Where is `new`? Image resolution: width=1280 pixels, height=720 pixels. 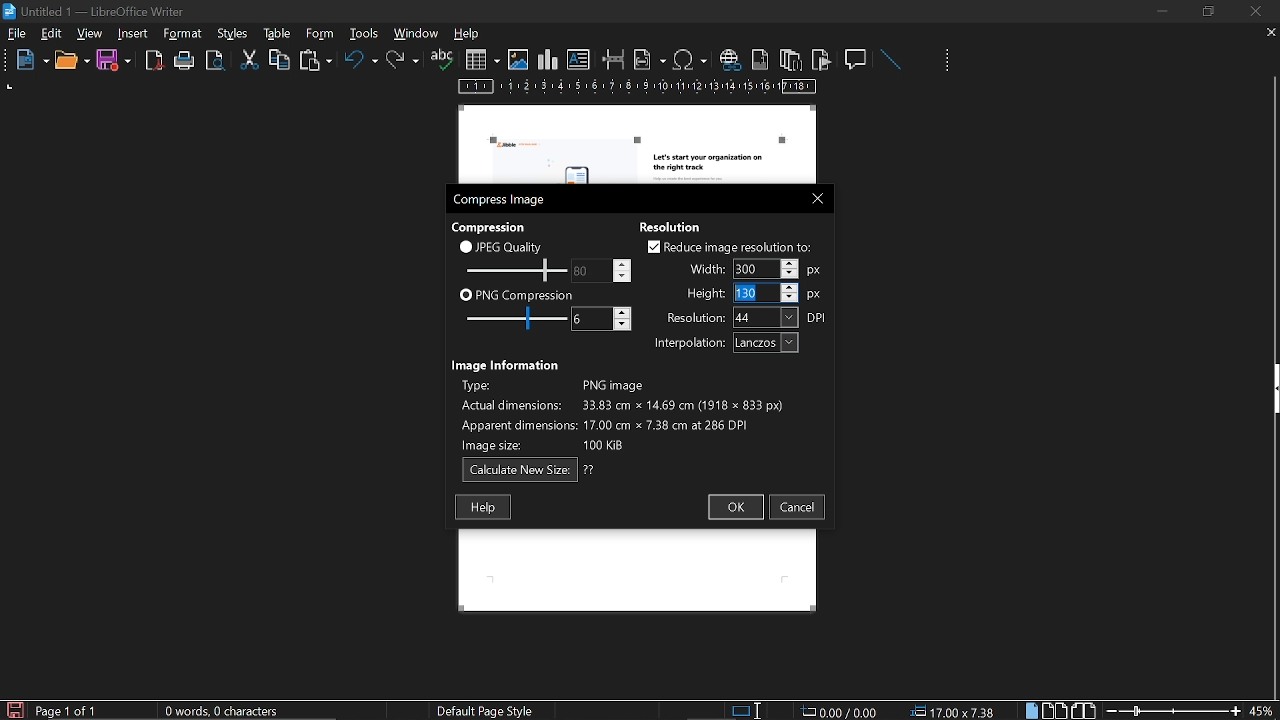 new is located at coordinates (27, 61).